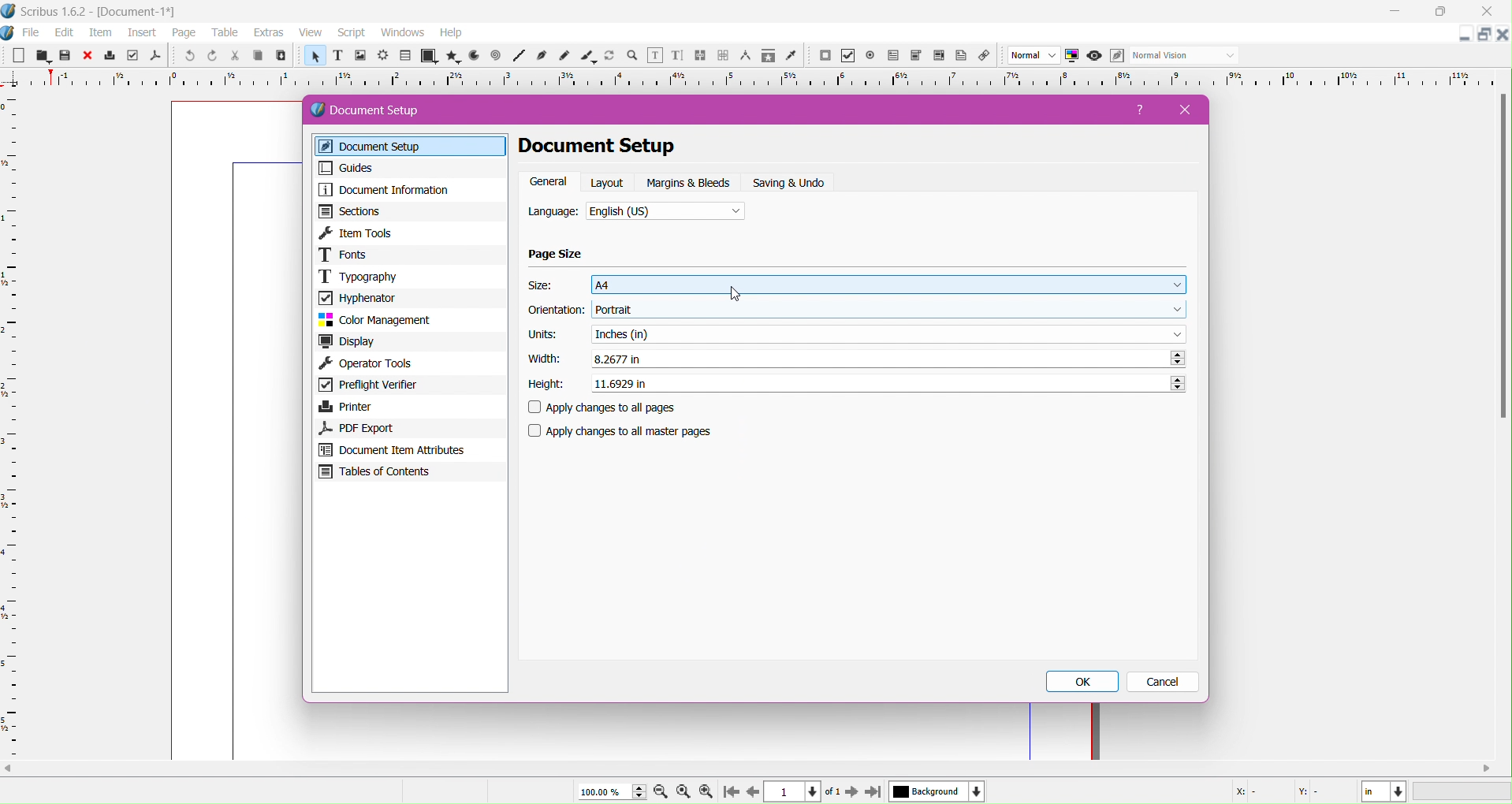 This screenshot has height=804, width=1512. Describe the element at coordinates (102, 34) in the screenshot. I see `item menu` at that location.